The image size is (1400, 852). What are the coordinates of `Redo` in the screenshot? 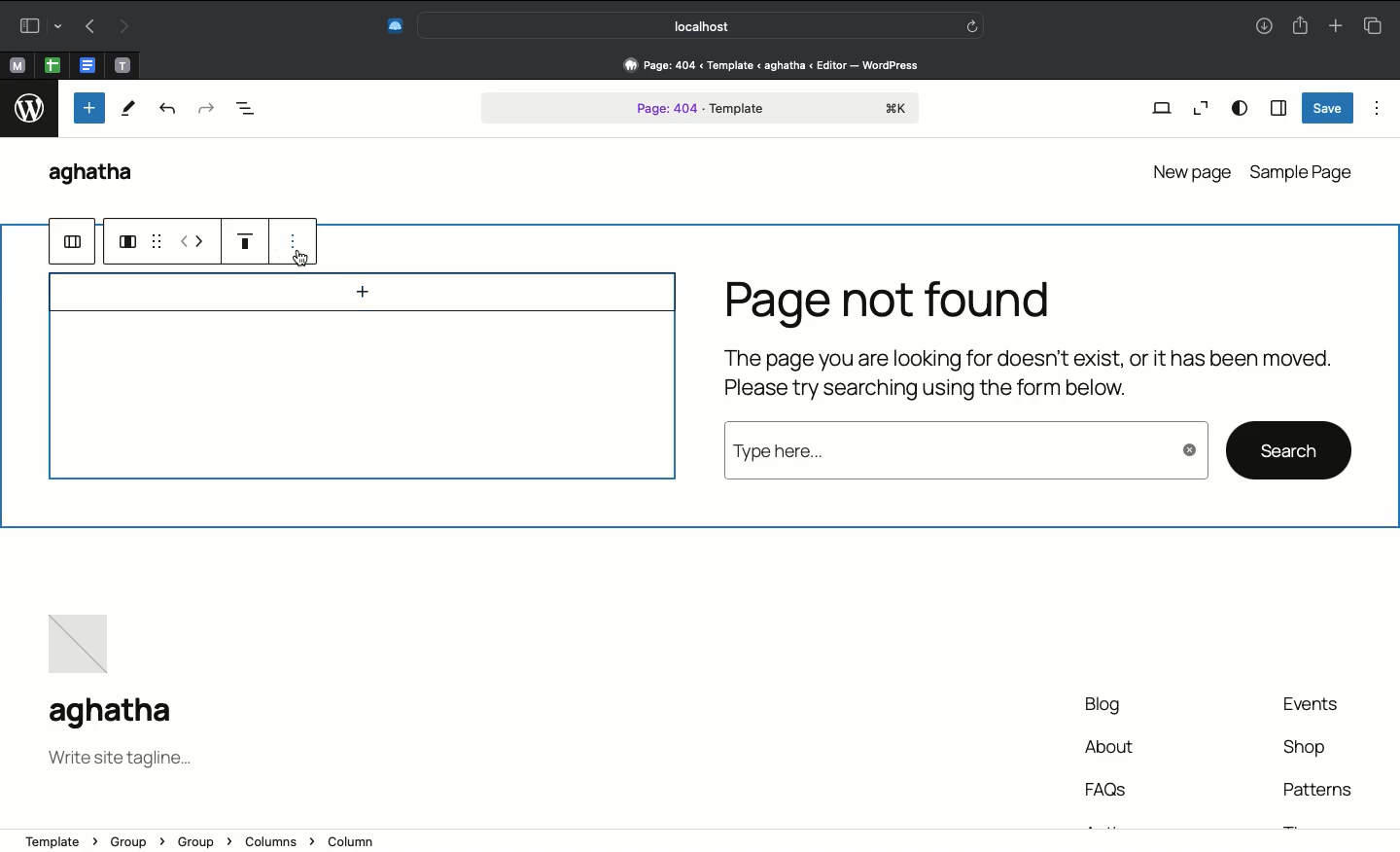 It's located at (205, 110).